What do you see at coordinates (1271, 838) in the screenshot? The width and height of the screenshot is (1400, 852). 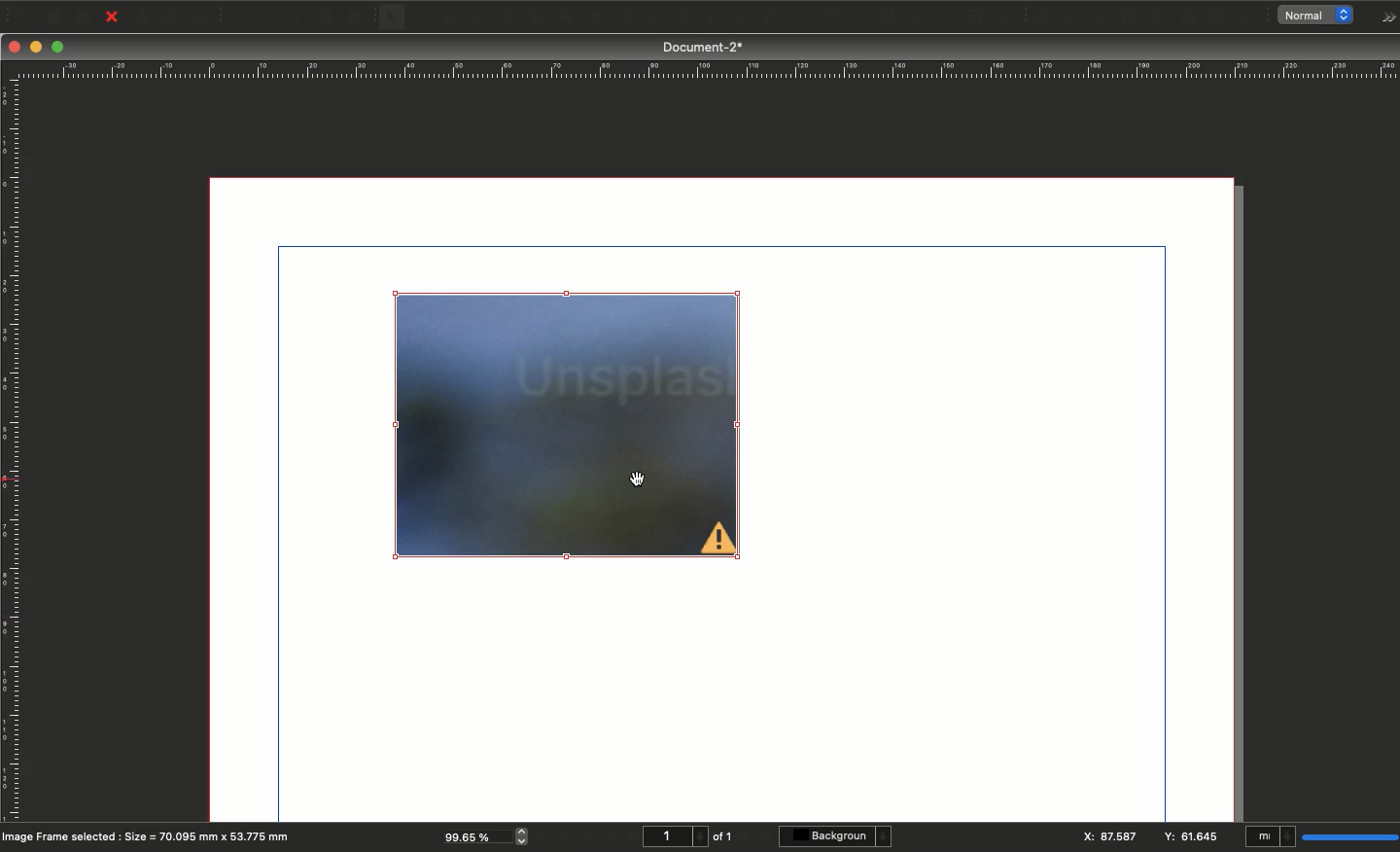 I see `mI` at bounding box center [1271, 838].